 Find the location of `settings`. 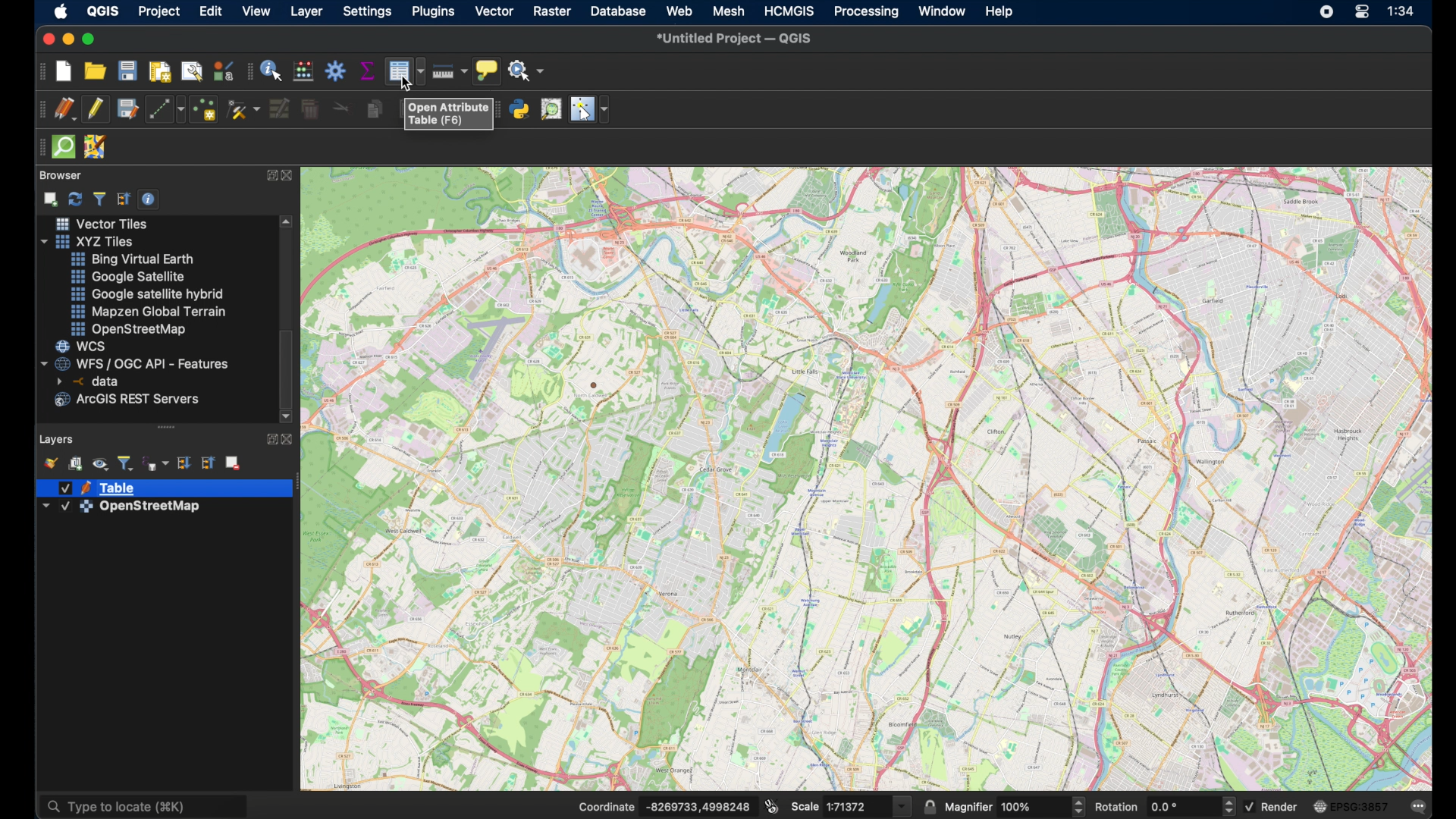

settings is located at coordinates (368, 12).